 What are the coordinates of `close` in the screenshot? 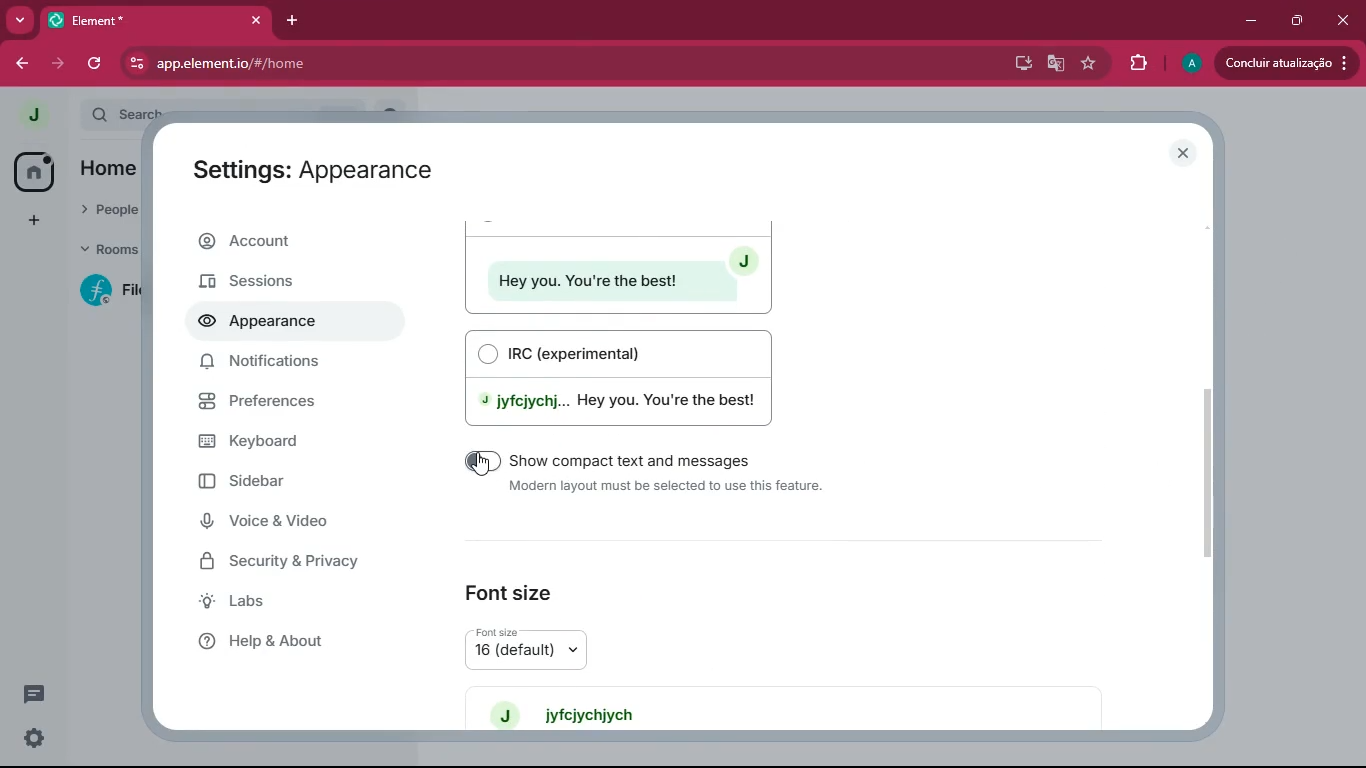 It's located at (1188, 154).